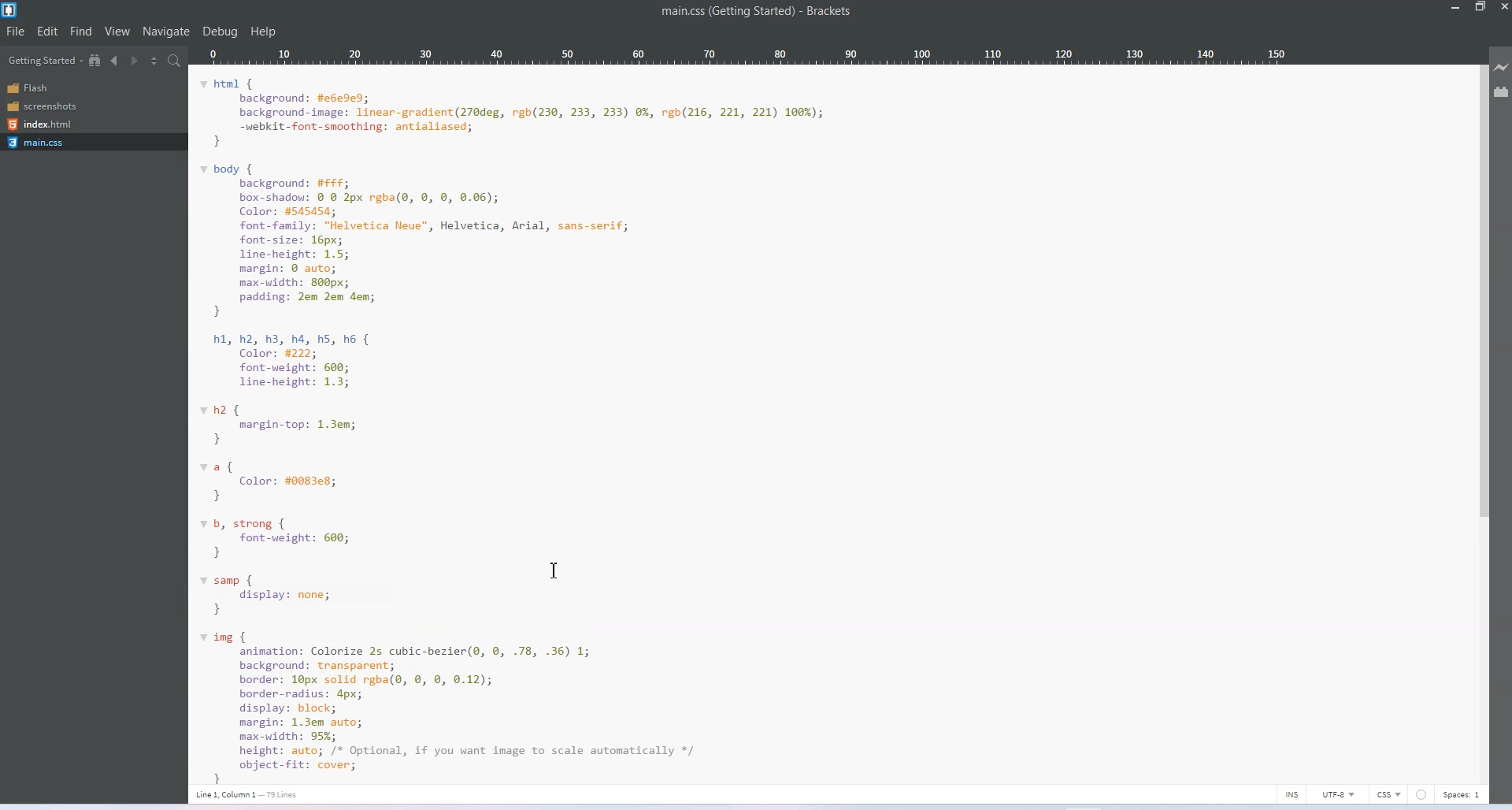 The height and width of the screenshot is (810, 1512). What do you see at coordinates (154, 61) in the screenshot?
I see `Split the editor vertically or Horizontally` at bounding box center [154, 61].